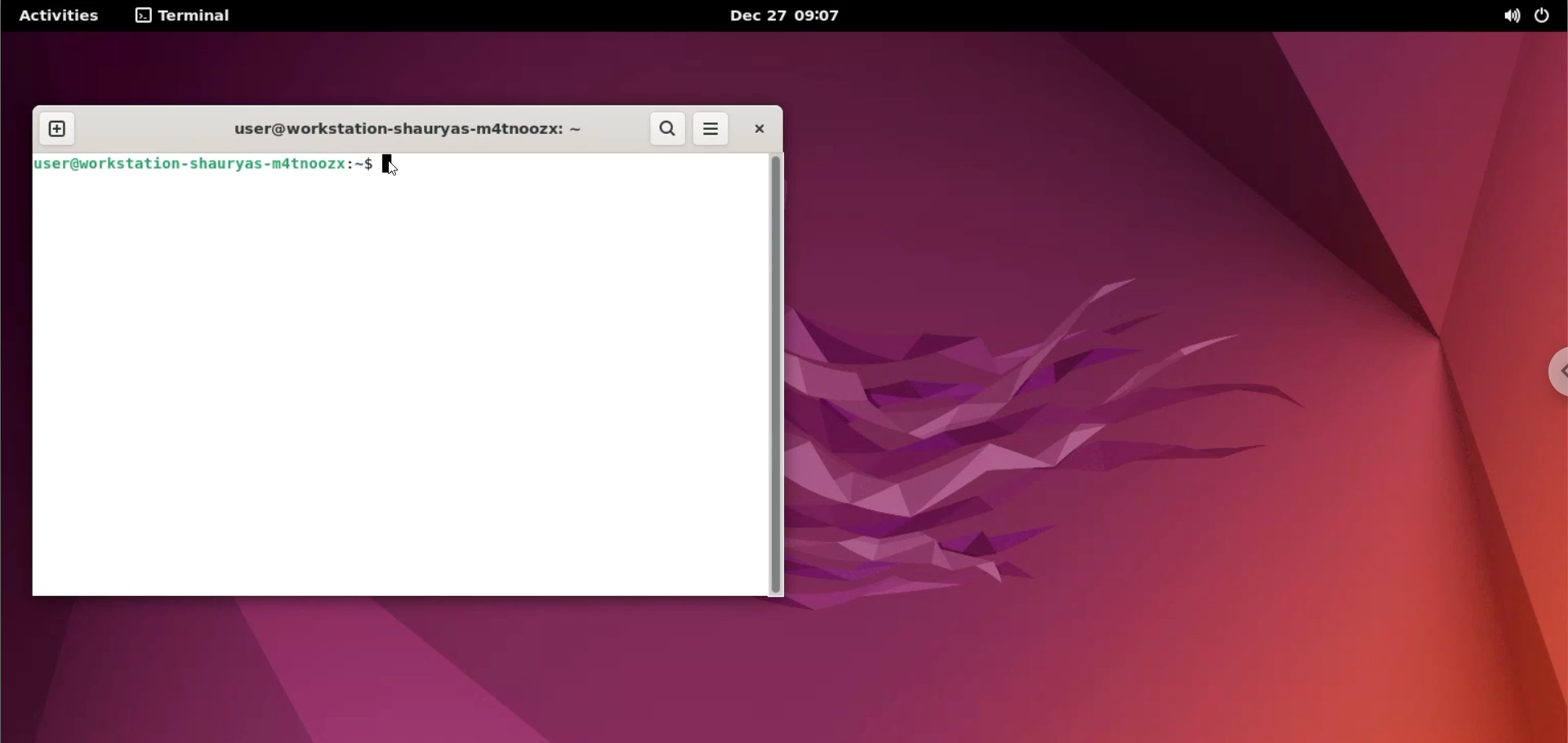 This screenshot has height=743, width=1568. I want to click on Terminal , so click(195, 17).